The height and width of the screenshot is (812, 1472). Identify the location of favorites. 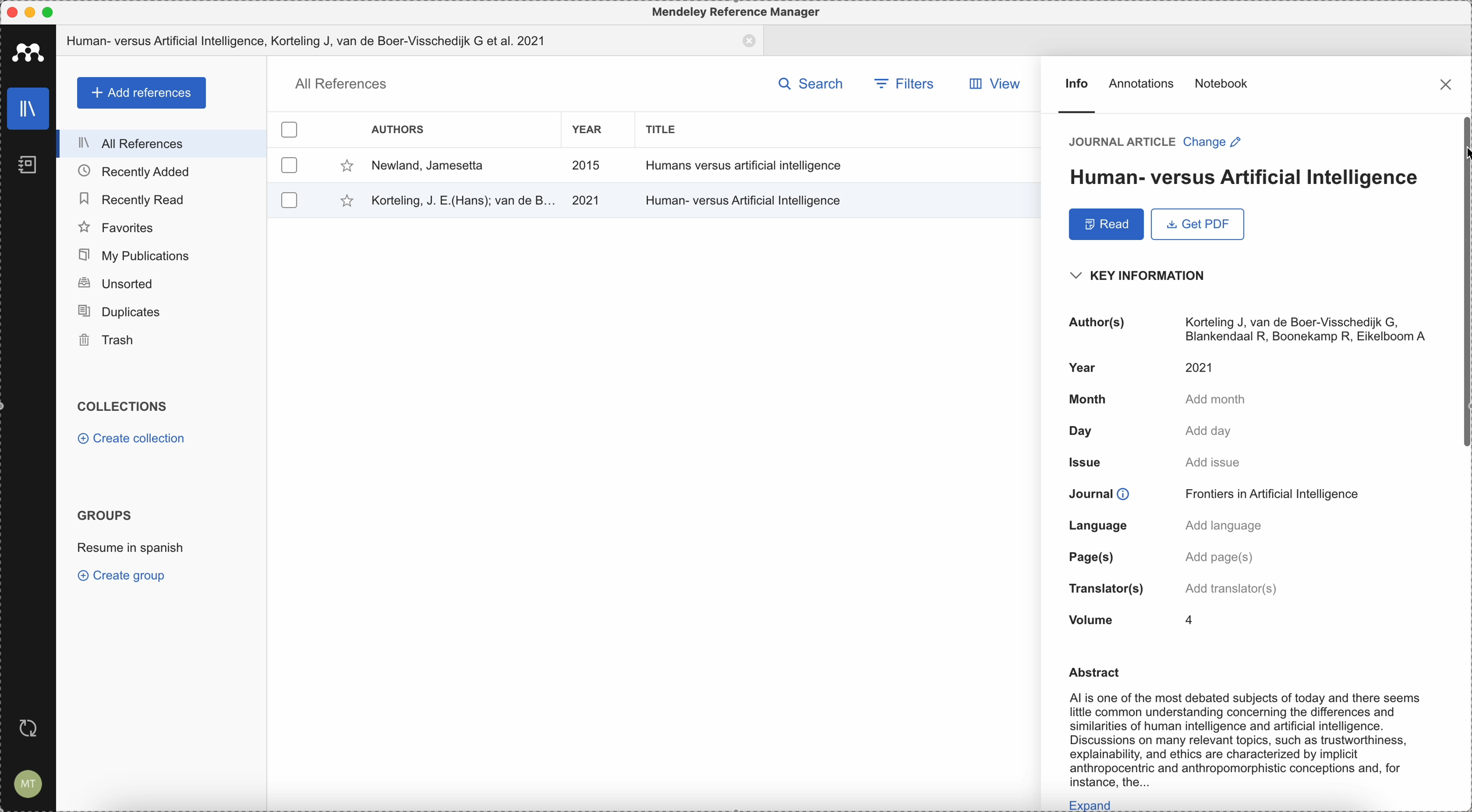
(162, 226).